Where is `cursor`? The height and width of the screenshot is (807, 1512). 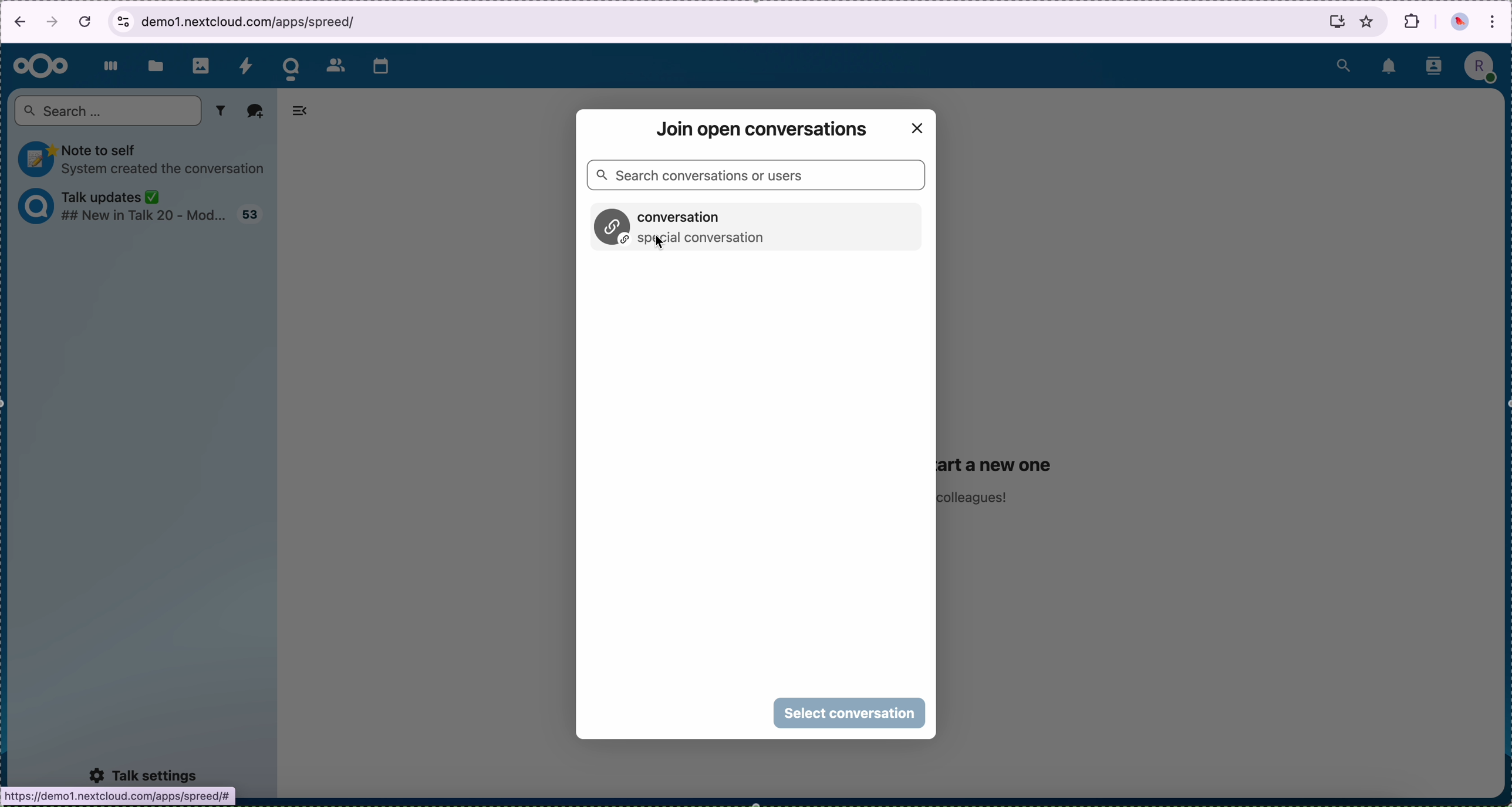 cursor is located at coordinates (659, 243).